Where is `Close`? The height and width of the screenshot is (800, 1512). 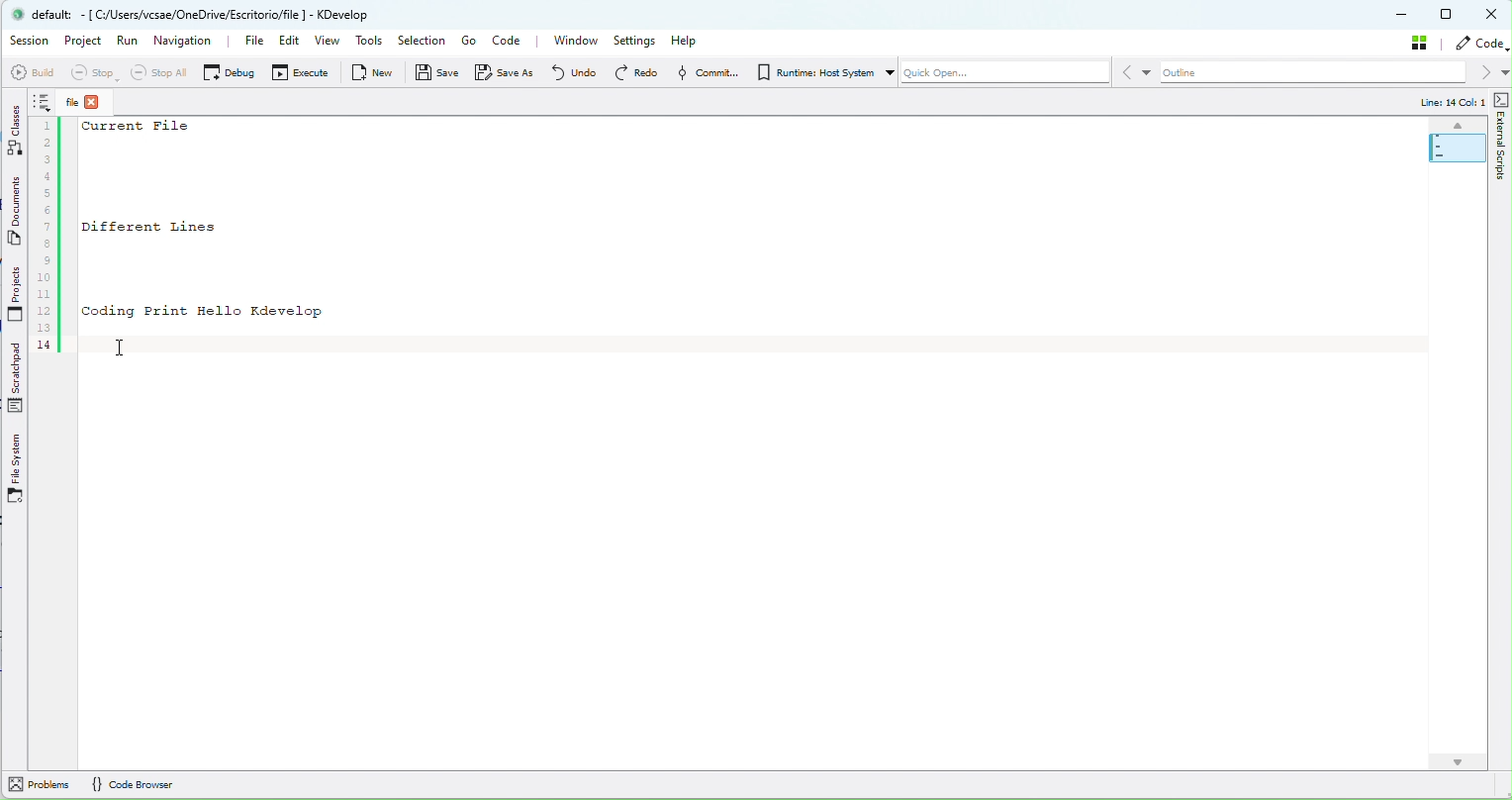 Close is located at coordinates (1493, 15).